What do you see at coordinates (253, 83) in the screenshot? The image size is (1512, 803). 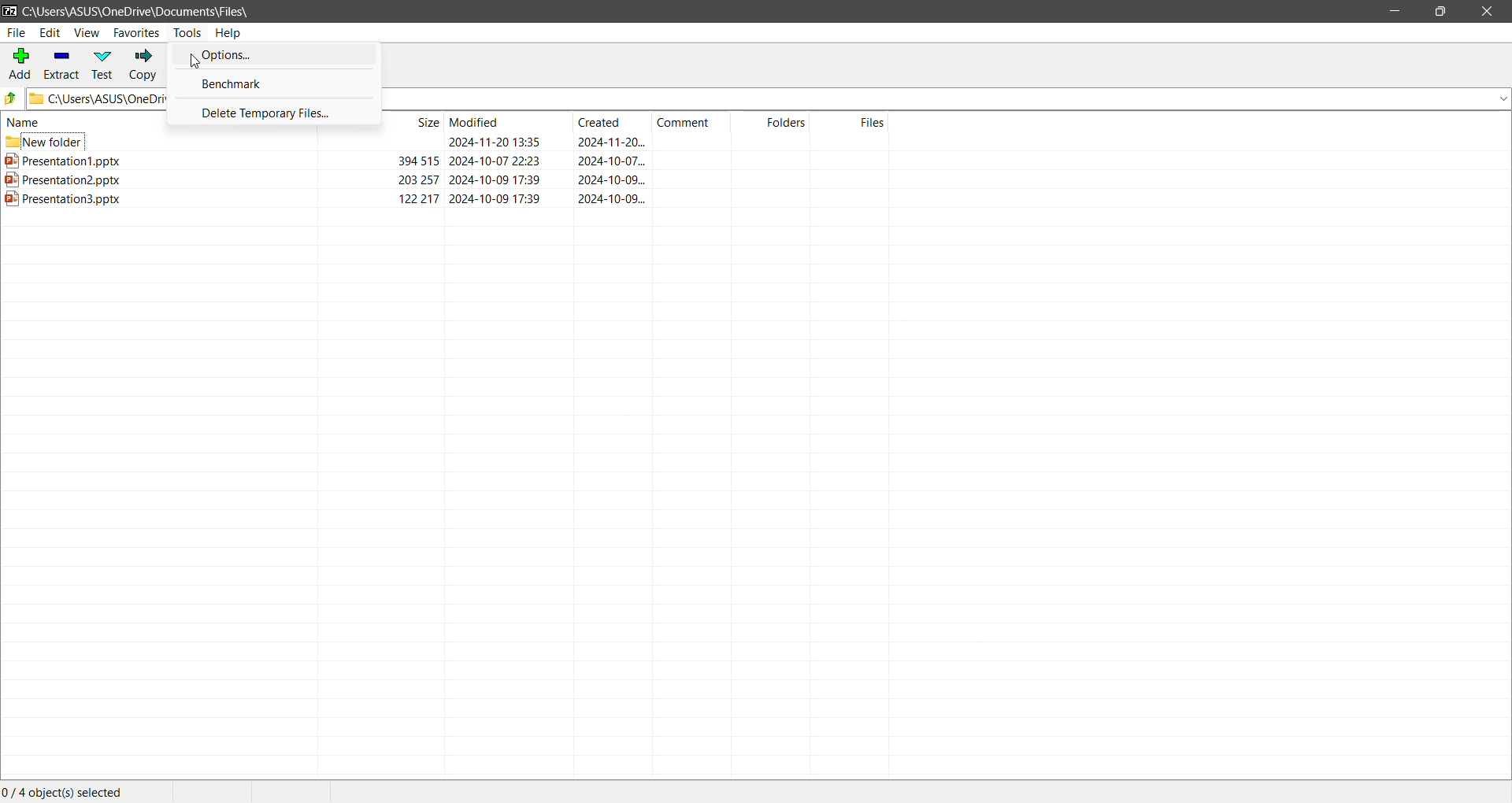 I see `Benchmark` at bounding box center [253, 83].